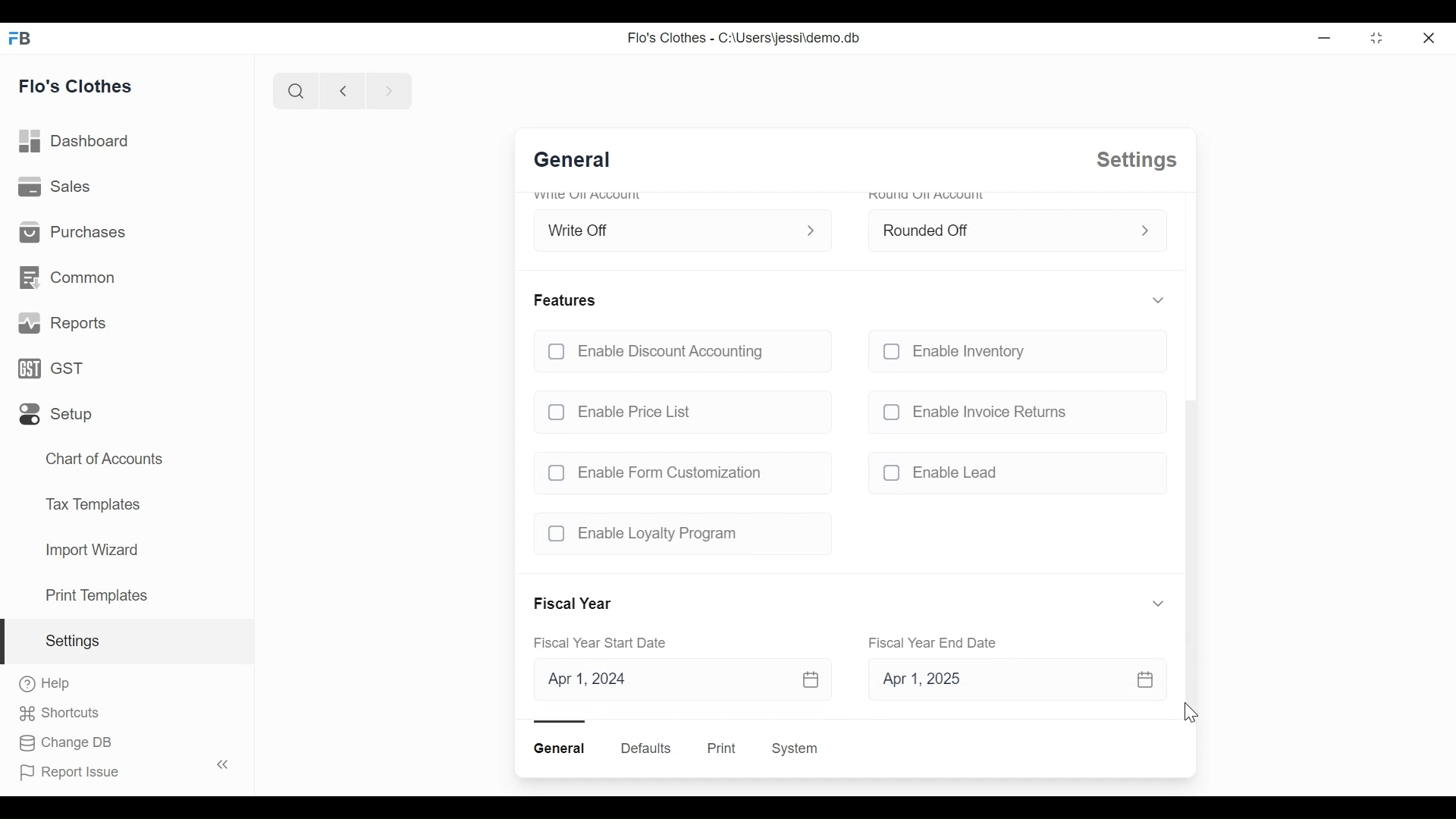 This screenshot has width=1456, height=819. I want to click on unchecked Enable Lead, so click(1012, 475).